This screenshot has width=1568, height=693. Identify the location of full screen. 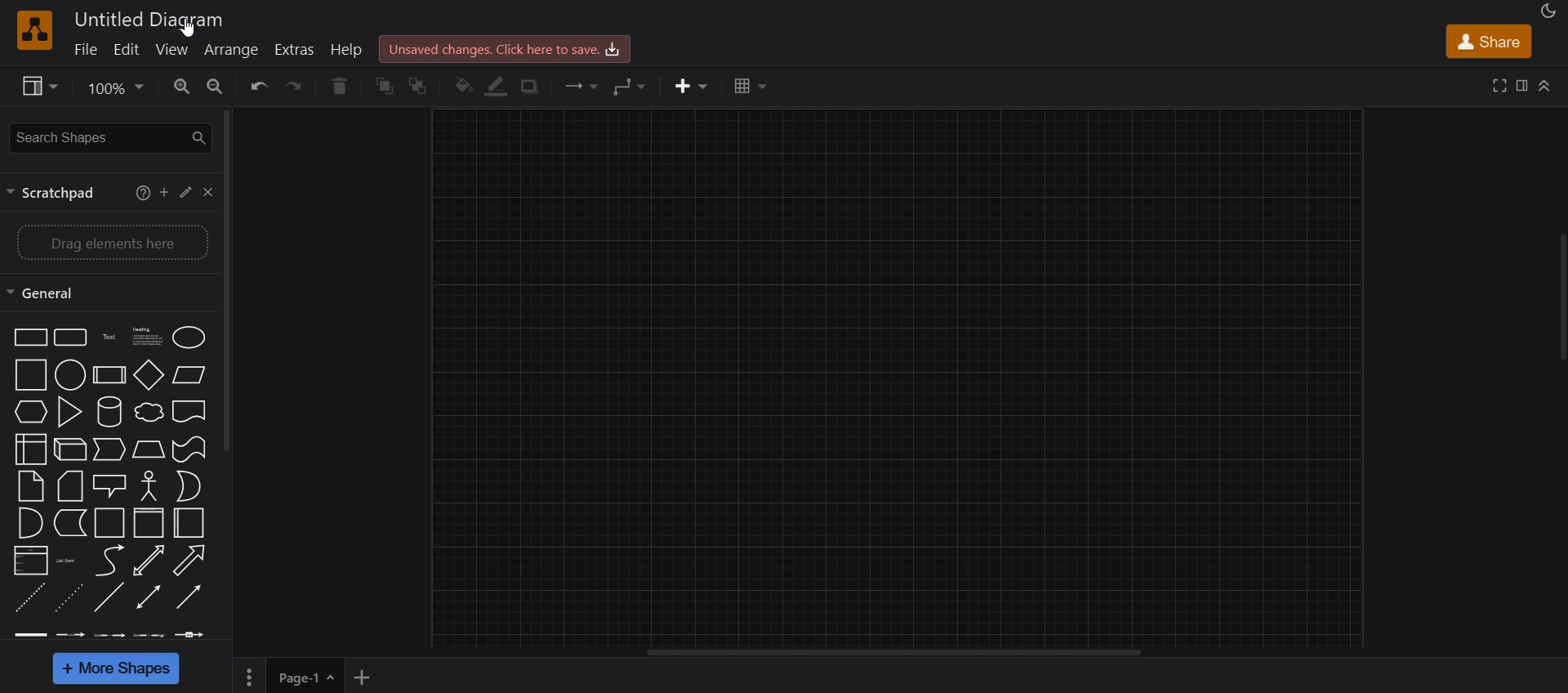
(1502, 85).